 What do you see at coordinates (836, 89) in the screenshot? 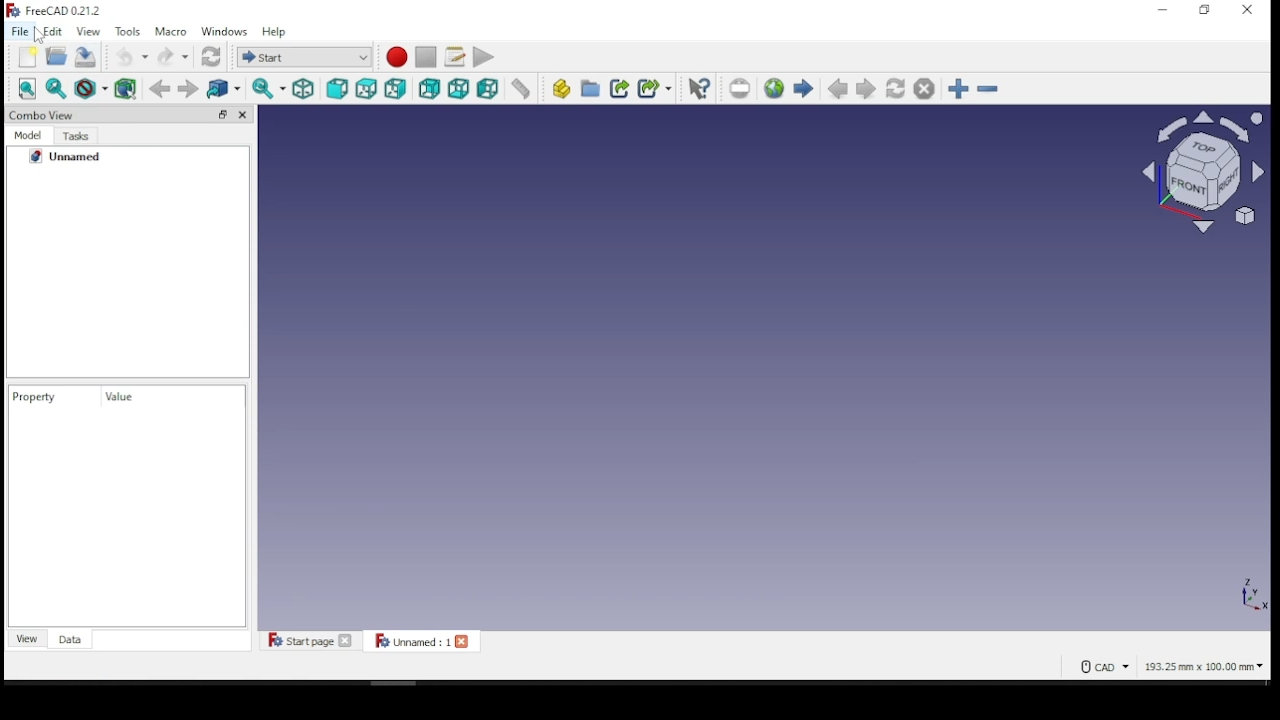
I see `previous page` at bounding box center [836, 89].